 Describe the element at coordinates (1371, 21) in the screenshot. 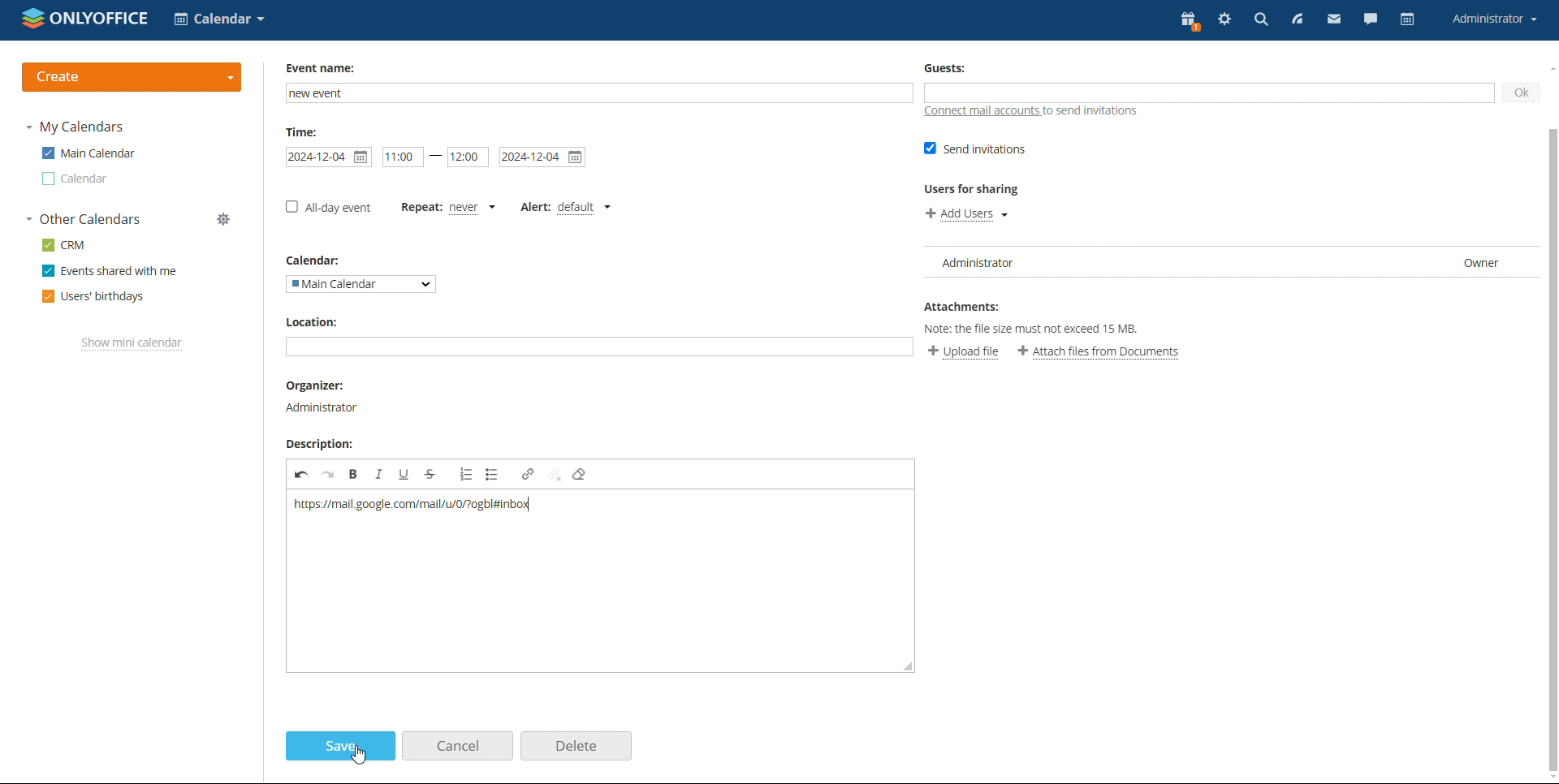

I see `chat` at that location.